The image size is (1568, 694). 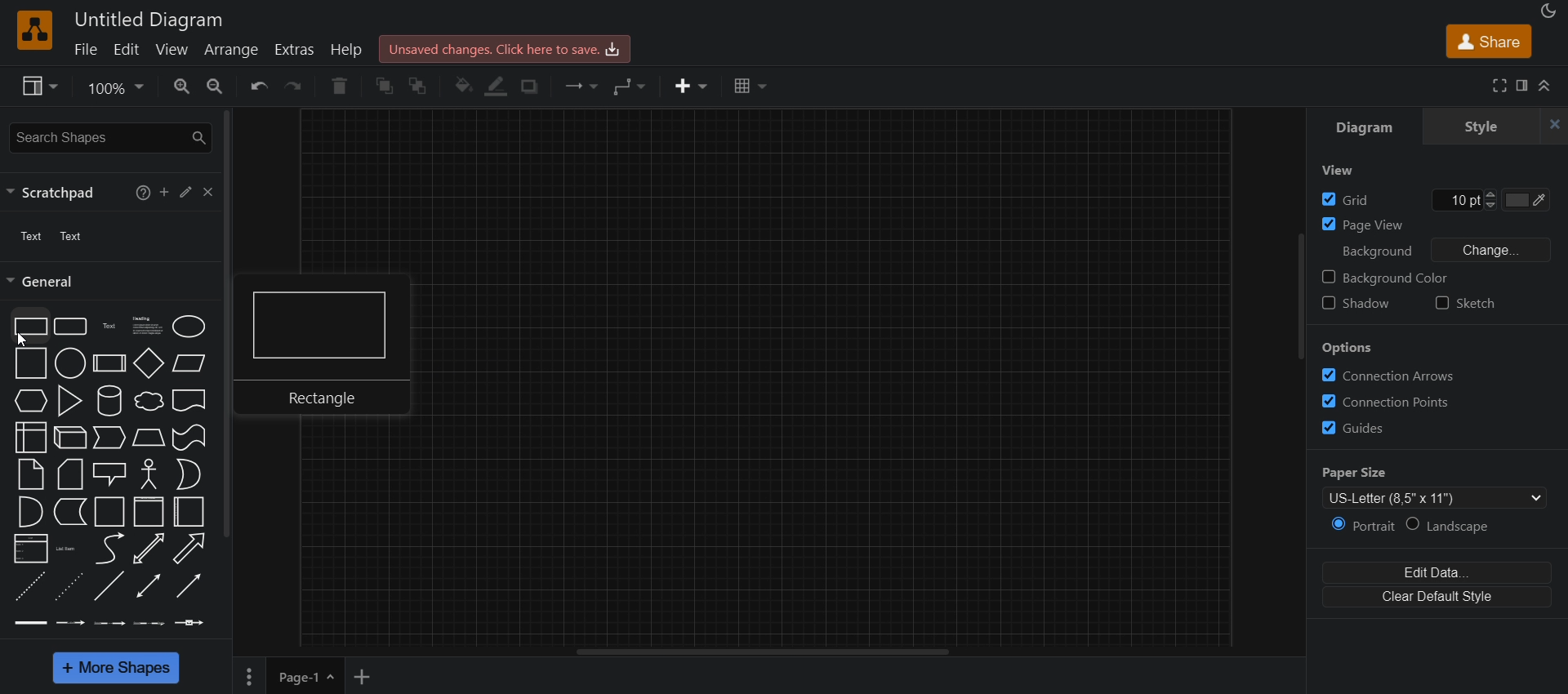 I want to click on grid, so click(x=1343, y=198).